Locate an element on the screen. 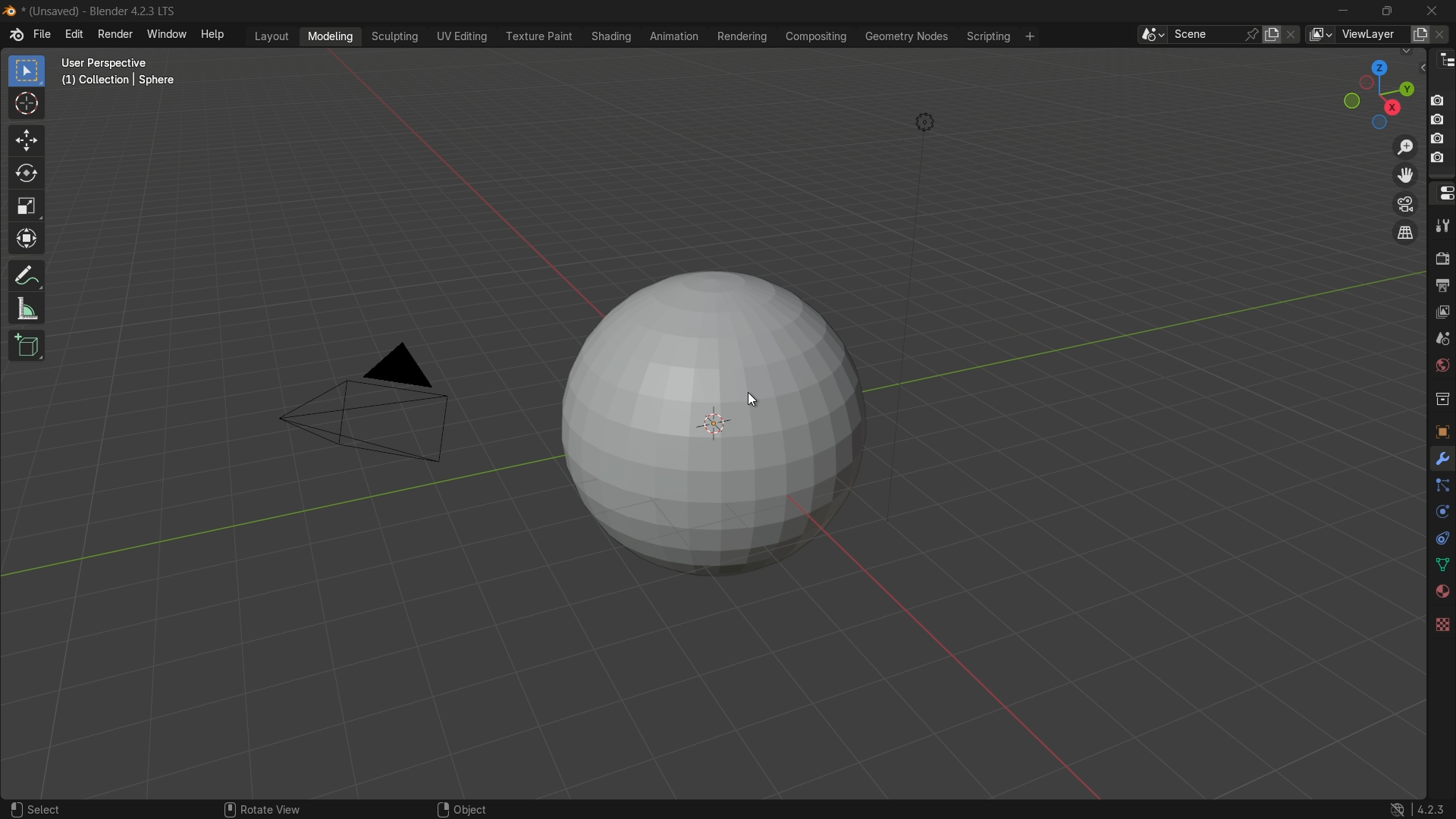 This screenshot has width=1456, height=819. maximize or restore is located at coordinates (1386, 11).